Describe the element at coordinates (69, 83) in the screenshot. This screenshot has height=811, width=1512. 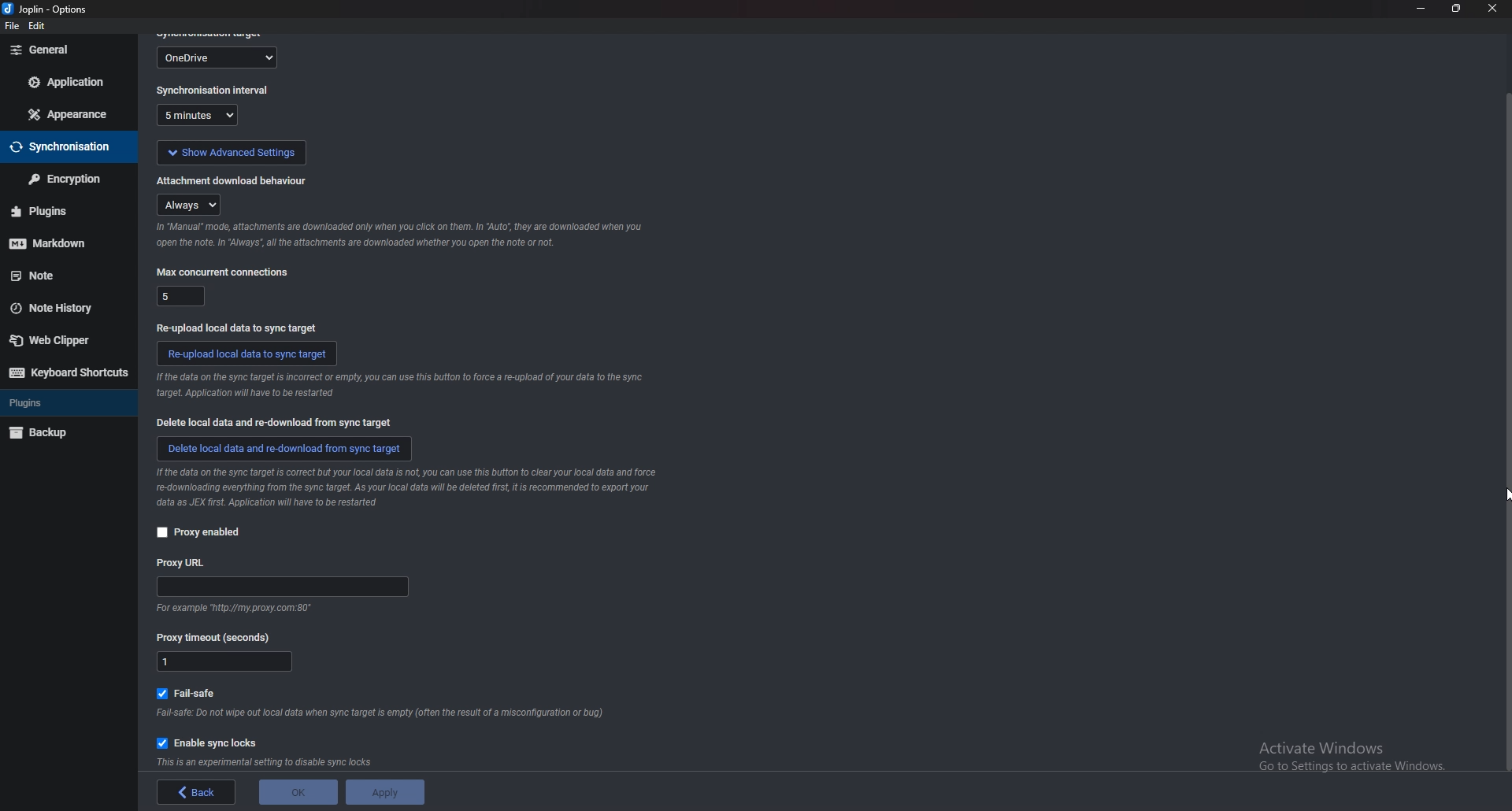
I see `application` at that location.